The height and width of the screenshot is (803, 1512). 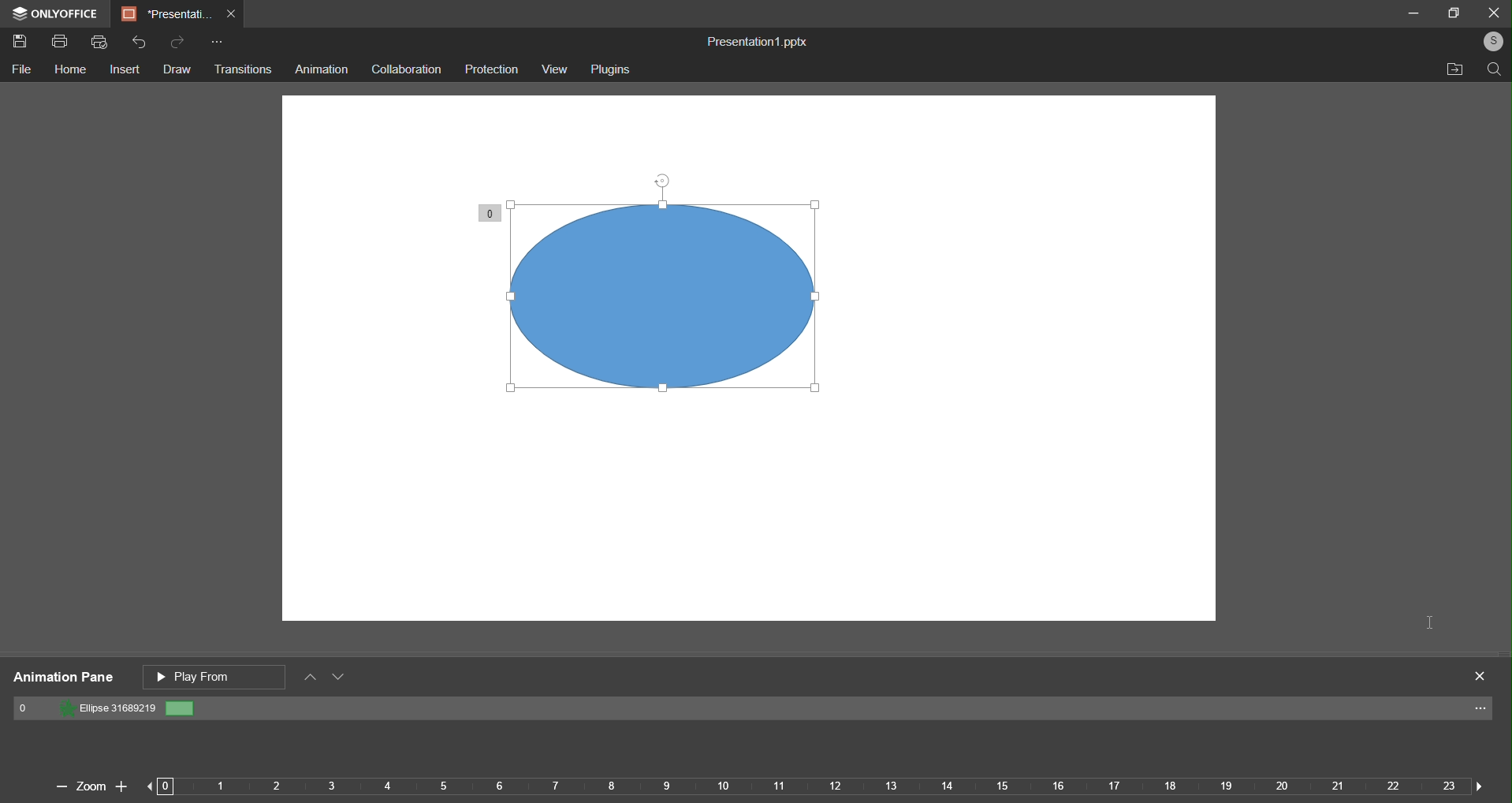 What do you see at coordinates (243, 70) in the screenshot?
I see `transitions` at bounding box center [243, 70].